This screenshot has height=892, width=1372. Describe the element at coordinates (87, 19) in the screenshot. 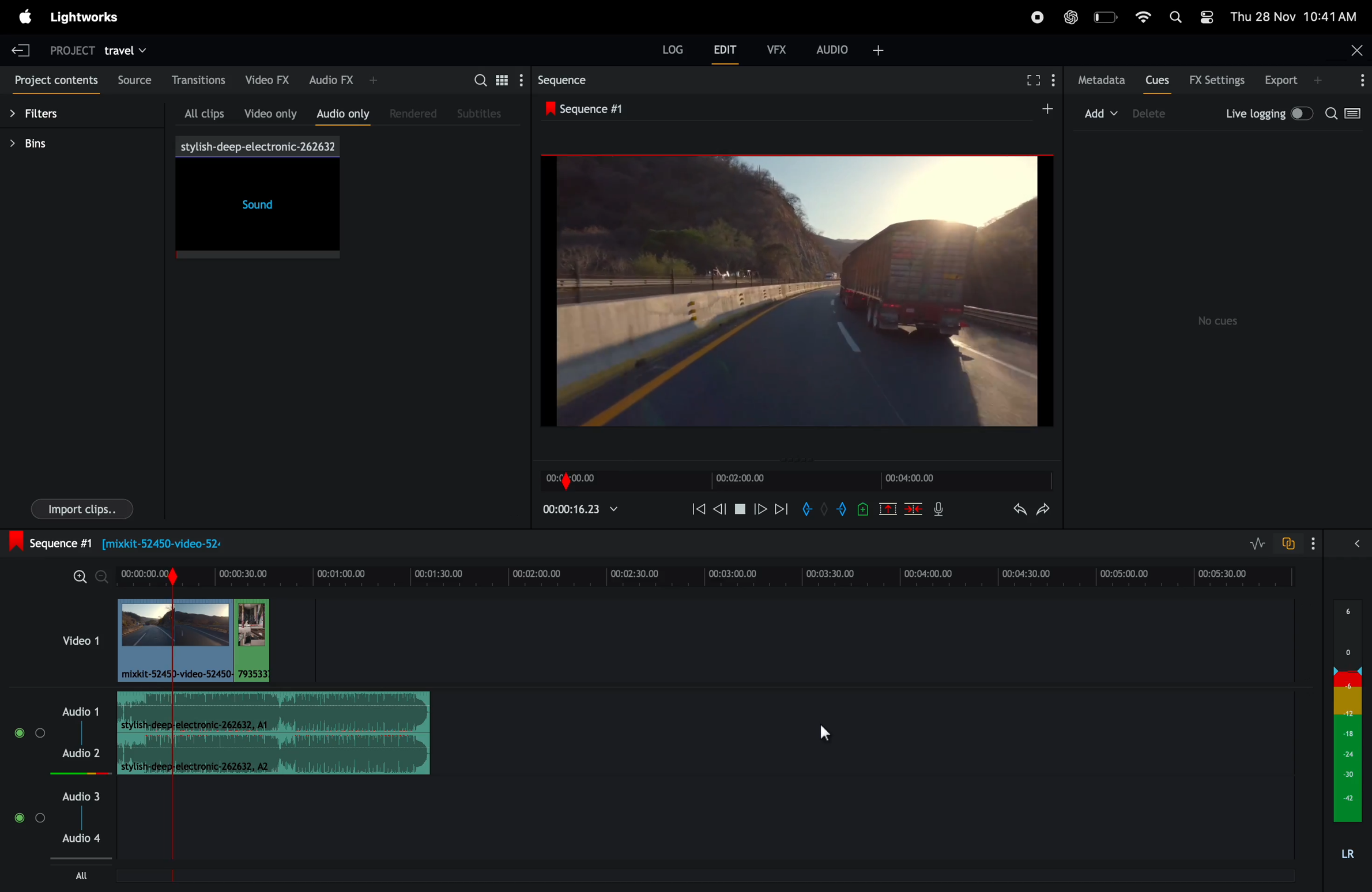

I see `light works menu` at that location.